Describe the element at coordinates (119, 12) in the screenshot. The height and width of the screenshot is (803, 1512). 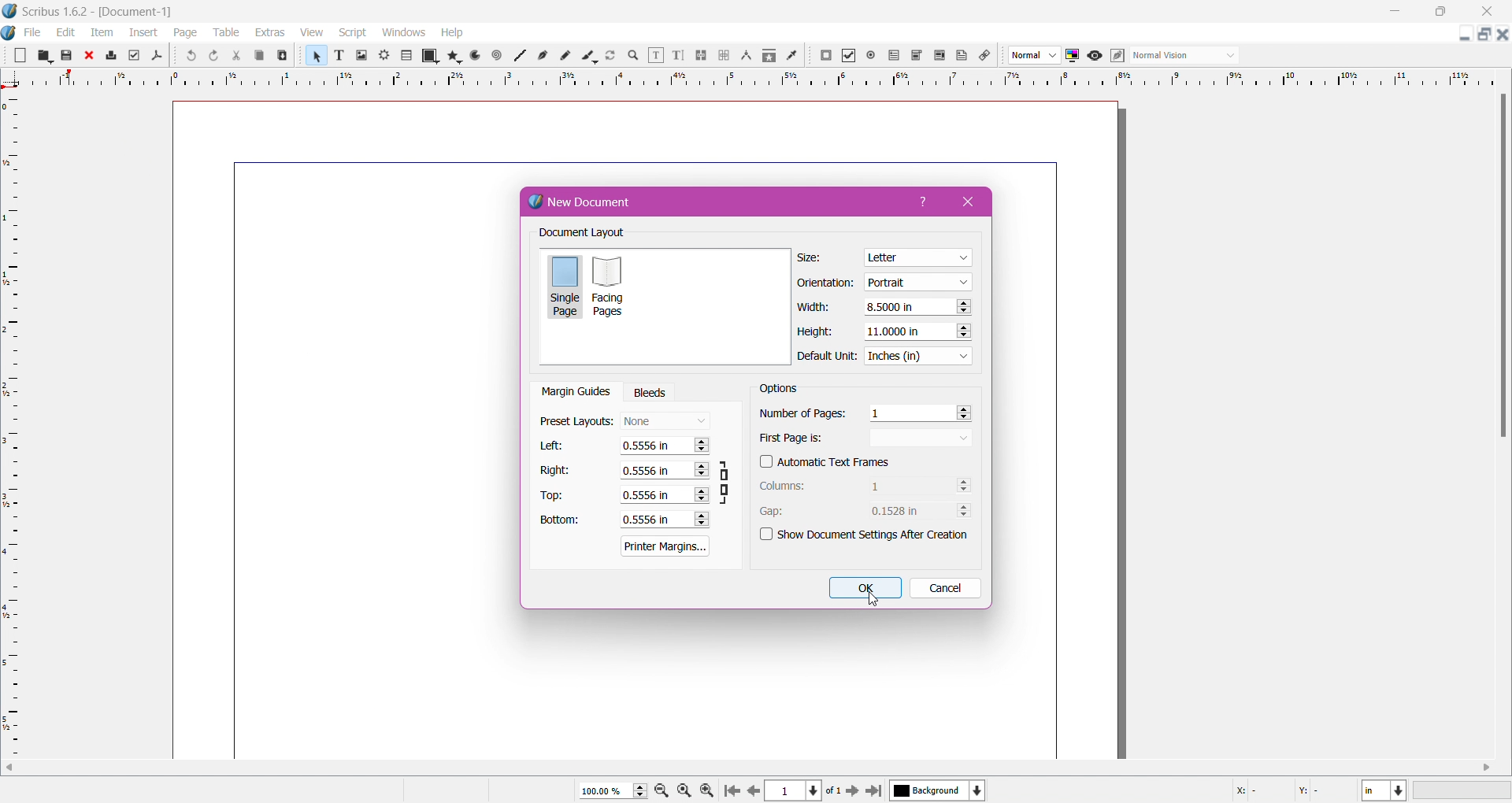
I see `scribus 1.6.2 document -1` at that location.